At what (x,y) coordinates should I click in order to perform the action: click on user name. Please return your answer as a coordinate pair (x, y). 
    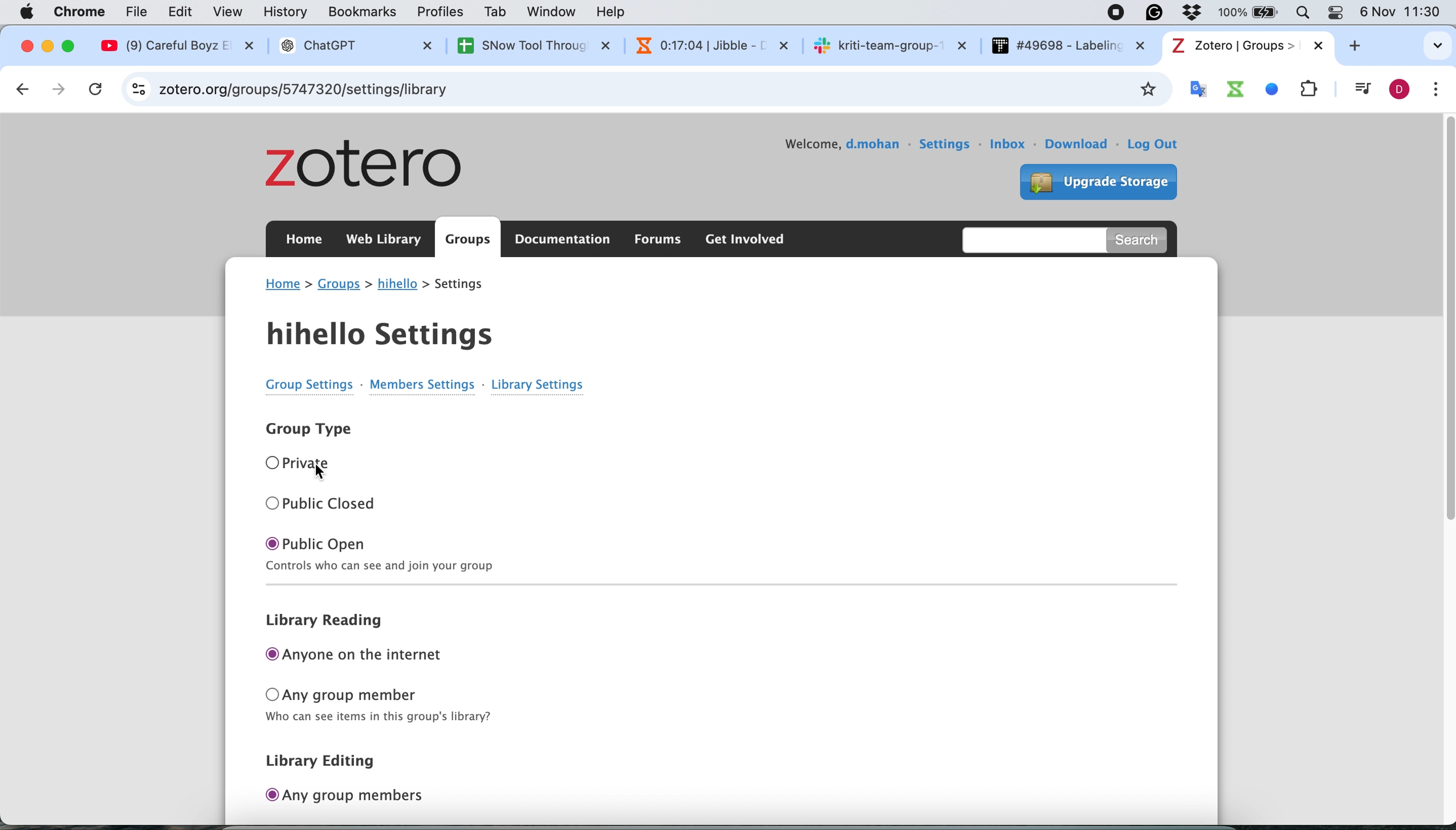
    Looking at the image, I should click on (873, 147).